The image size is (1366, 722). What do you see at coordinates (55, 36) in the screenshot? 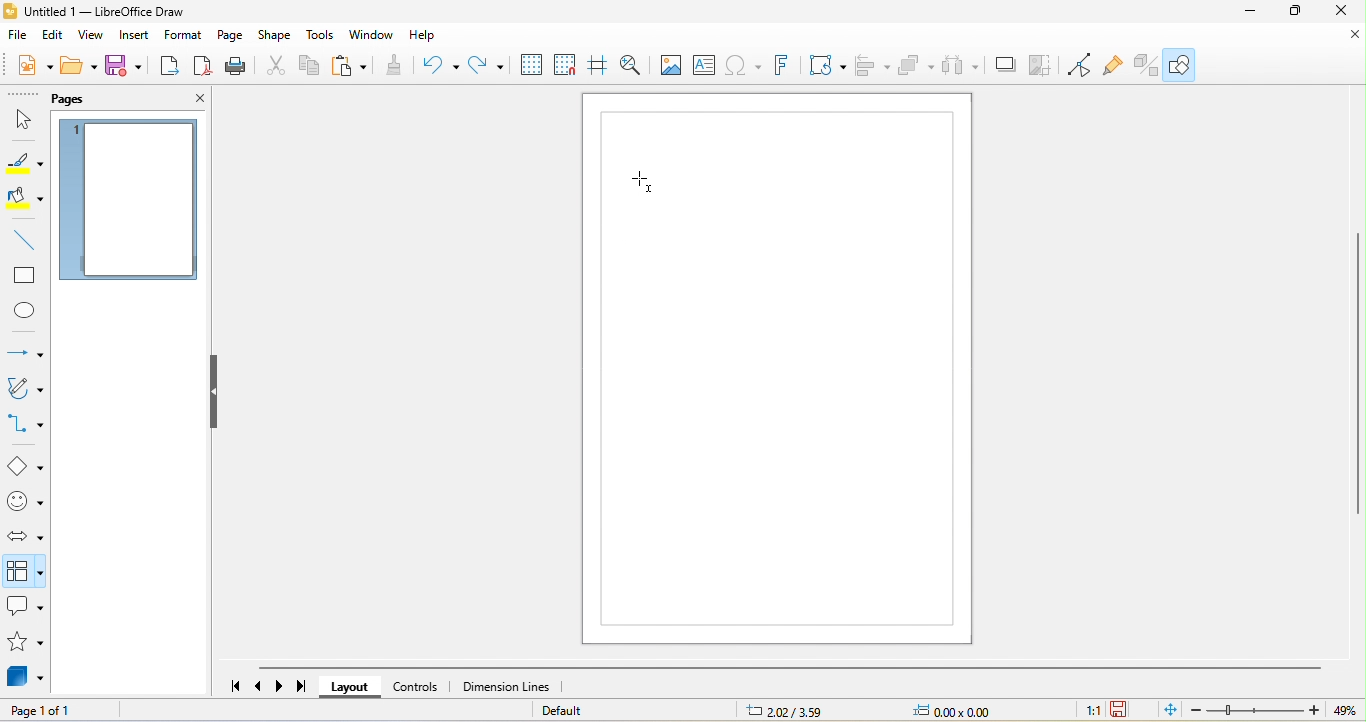
I see `edit` at bounding box center [55, 36].